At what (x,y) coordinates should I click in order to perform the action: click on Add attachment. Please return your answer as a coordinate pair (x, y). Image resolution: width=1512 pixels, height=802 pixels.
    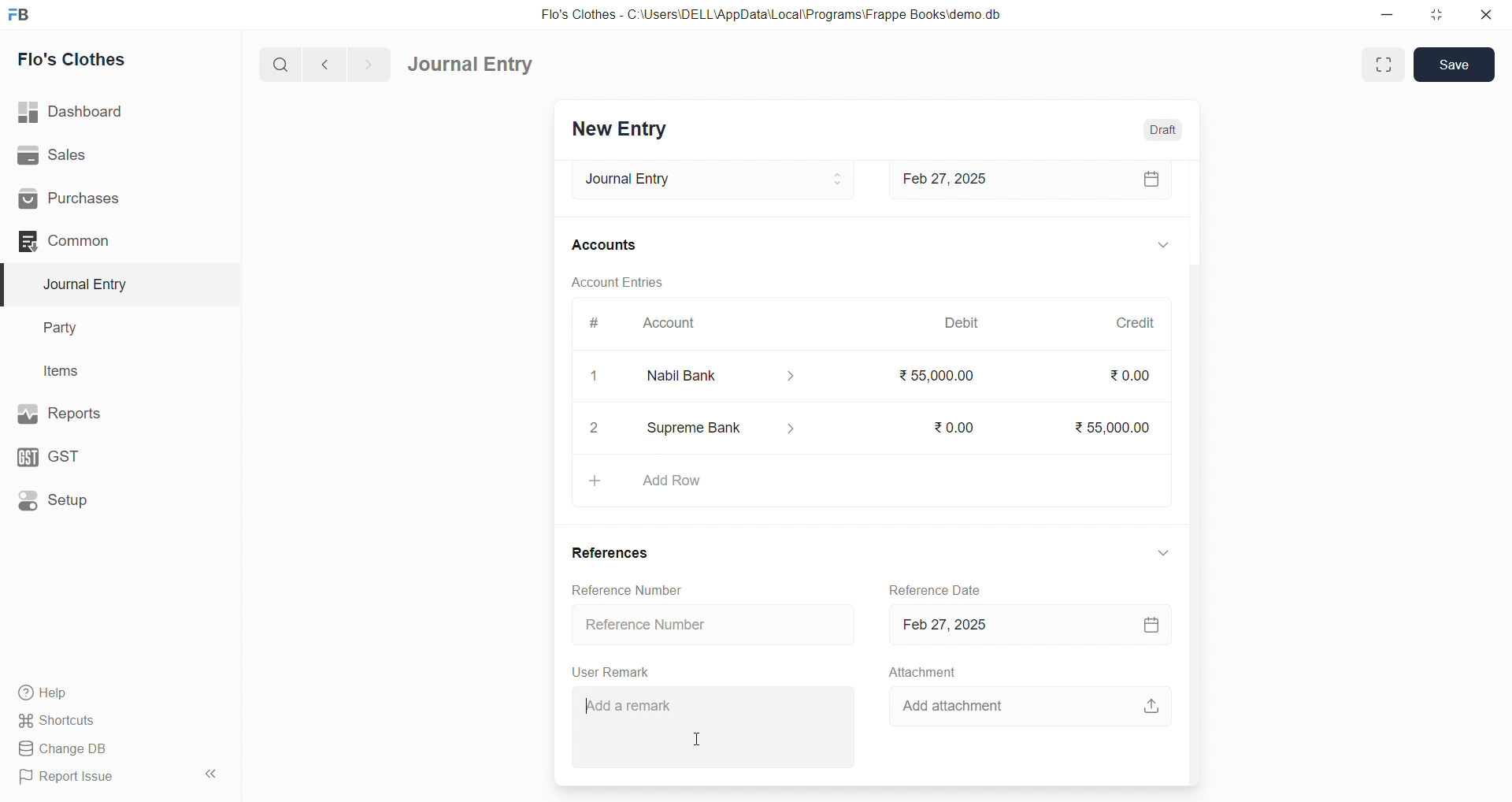
    Looking at the image, I should click on (1028, 704).